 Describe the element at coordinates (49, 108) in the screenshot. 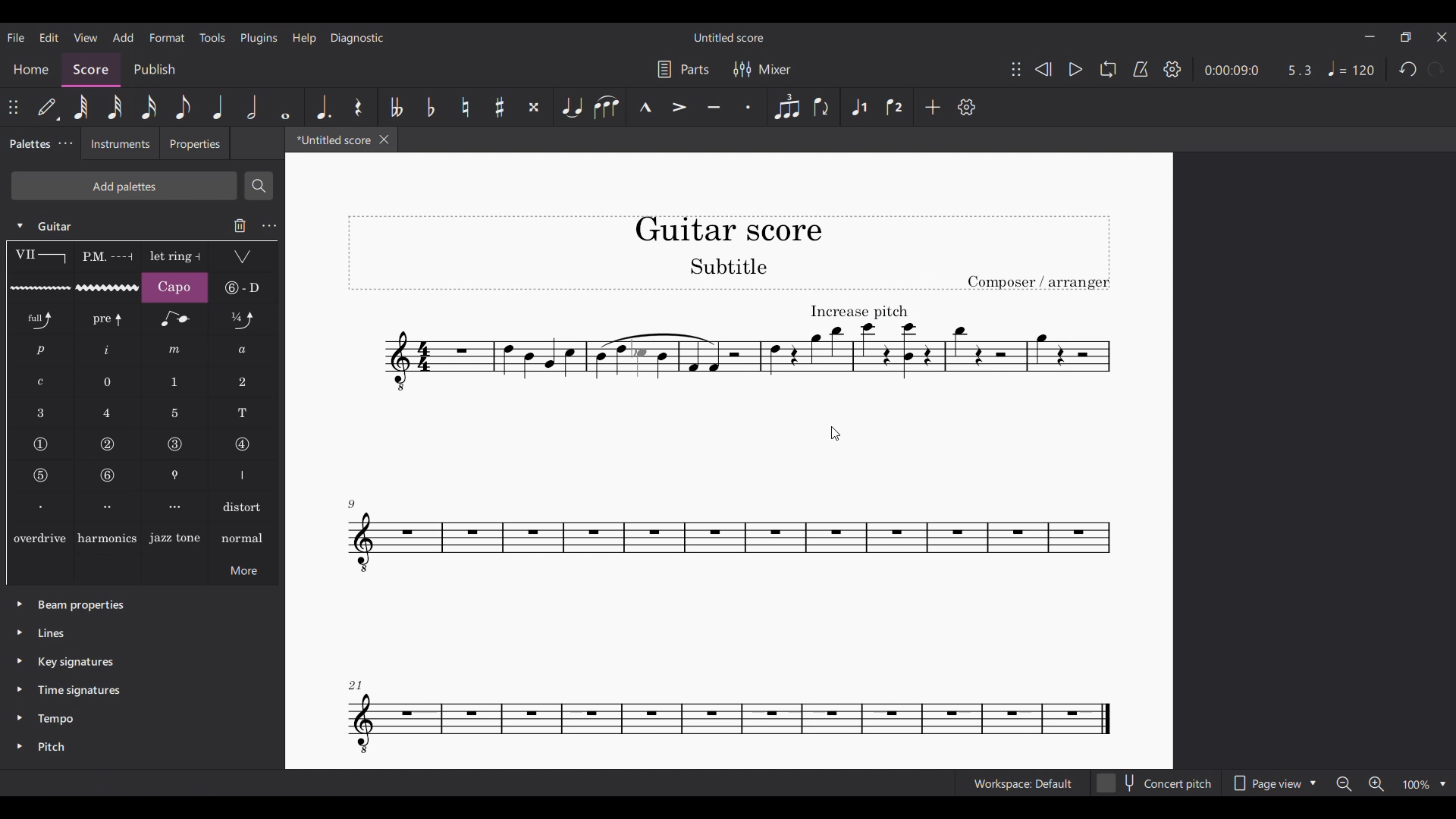

I see `Default` at that location.